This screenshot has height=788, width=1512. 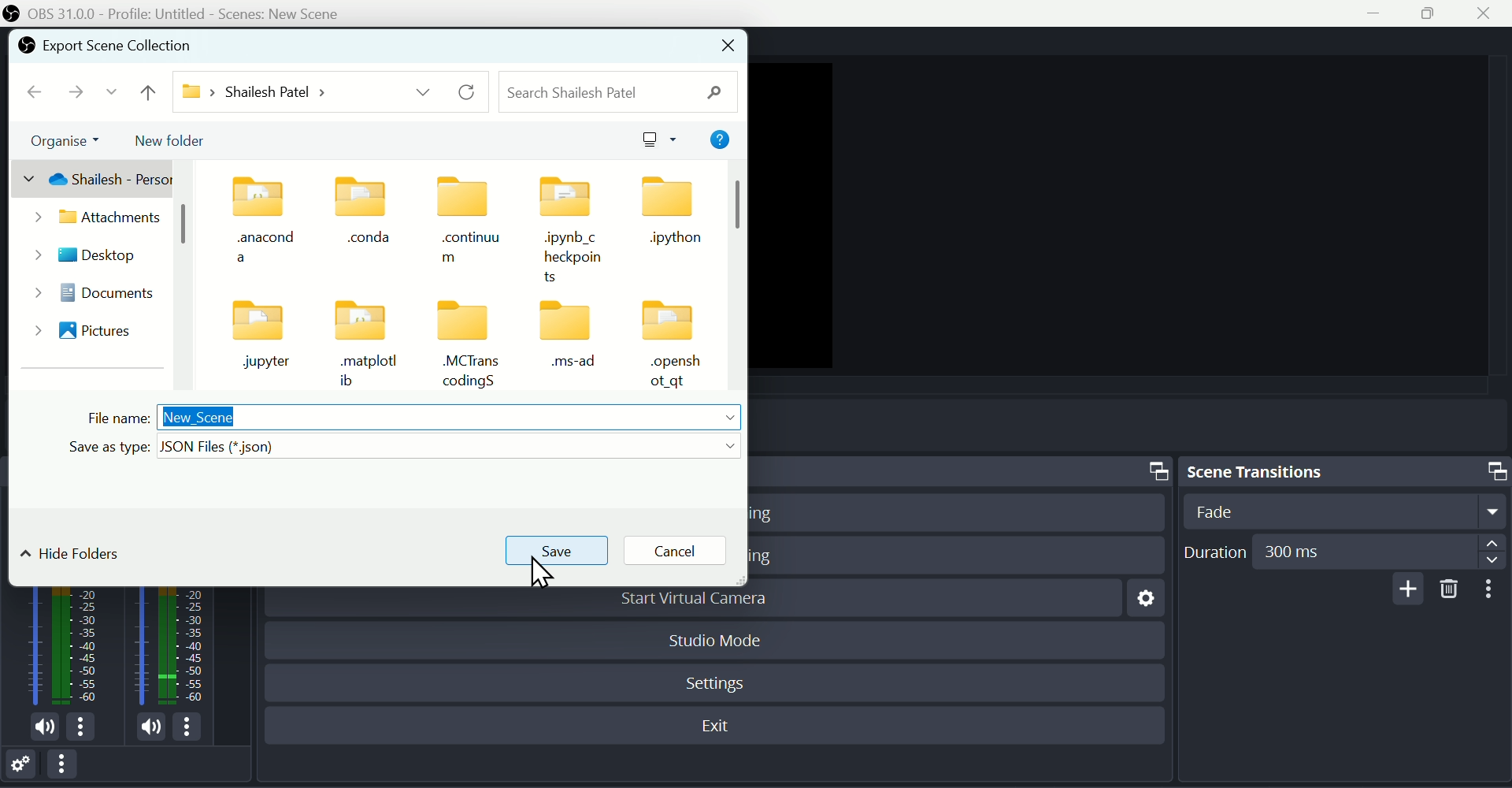 I want to click on save, so click(x=553, y=551).